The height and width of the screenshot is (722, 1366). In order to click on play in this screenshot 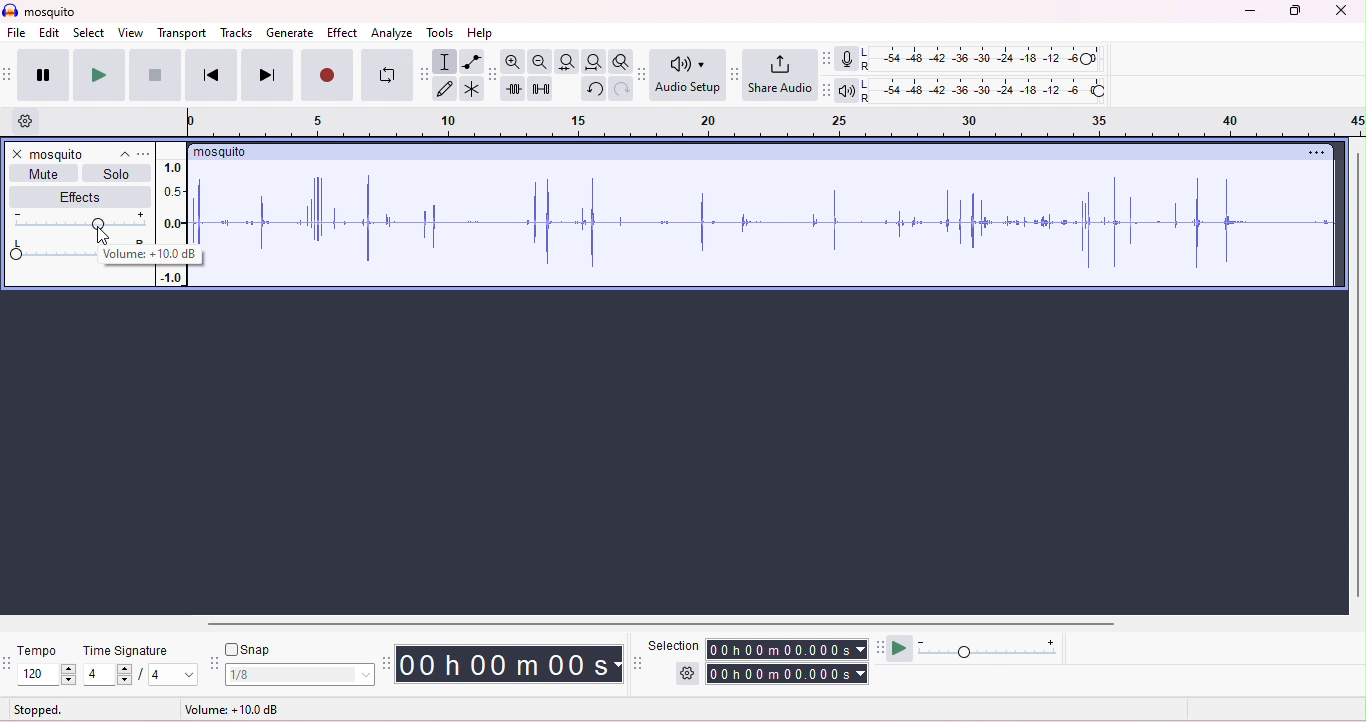, I will do `click(98, 75)`.